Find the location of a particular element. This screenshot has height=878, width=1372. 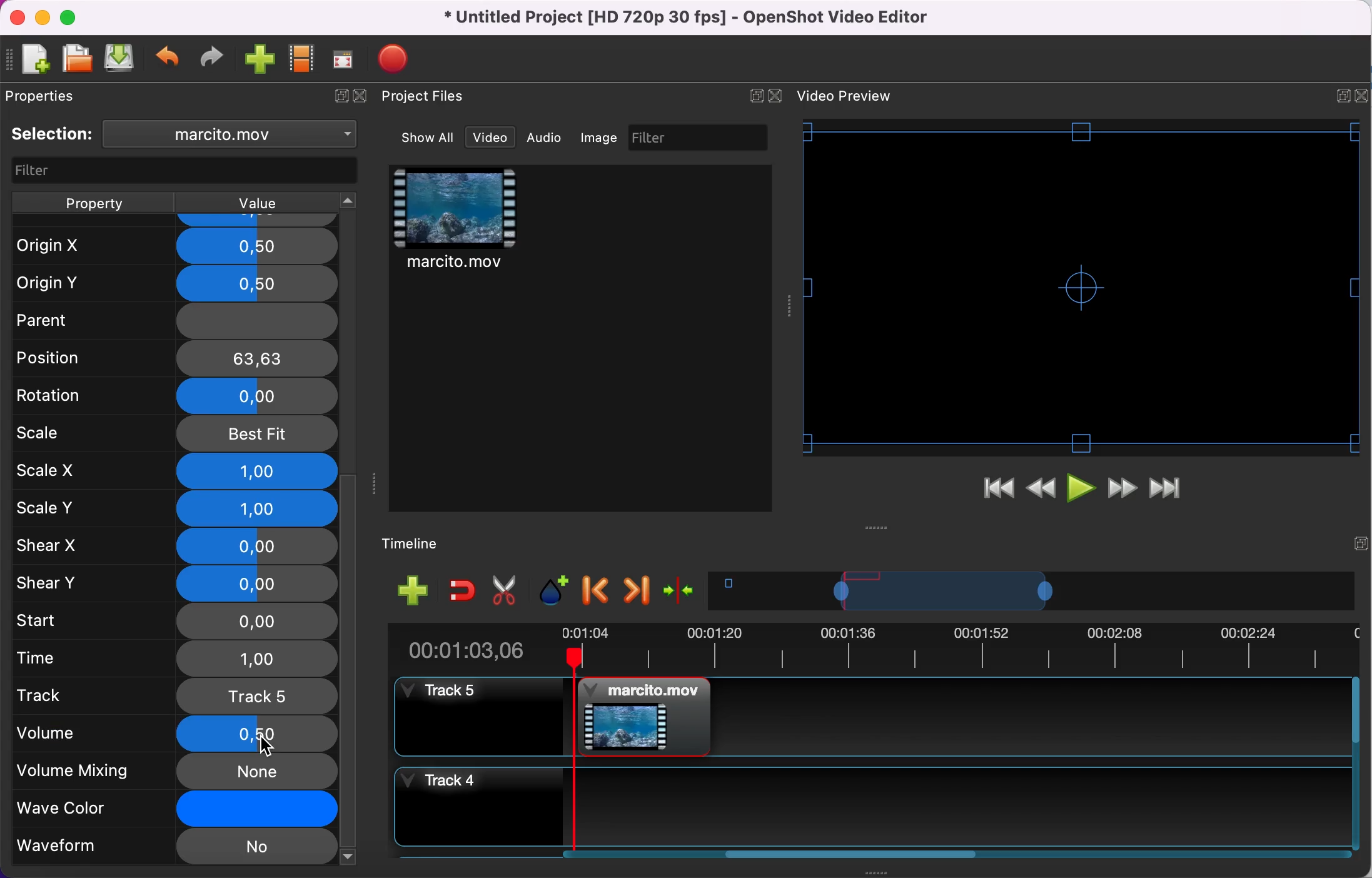

clip duration is located at coordinates (871, 651).